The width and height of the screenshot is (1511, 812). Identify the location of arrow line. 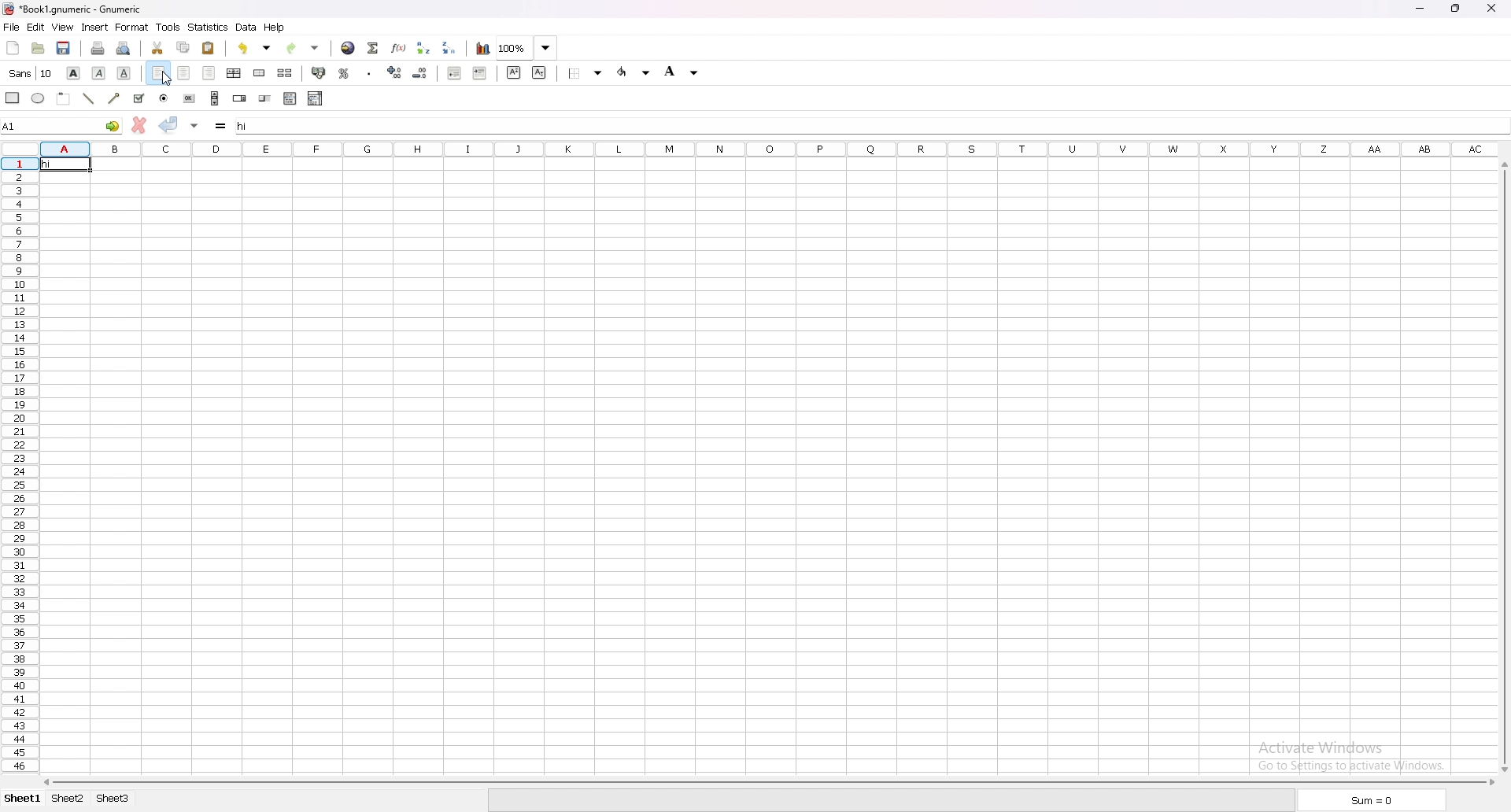
(116, 98).